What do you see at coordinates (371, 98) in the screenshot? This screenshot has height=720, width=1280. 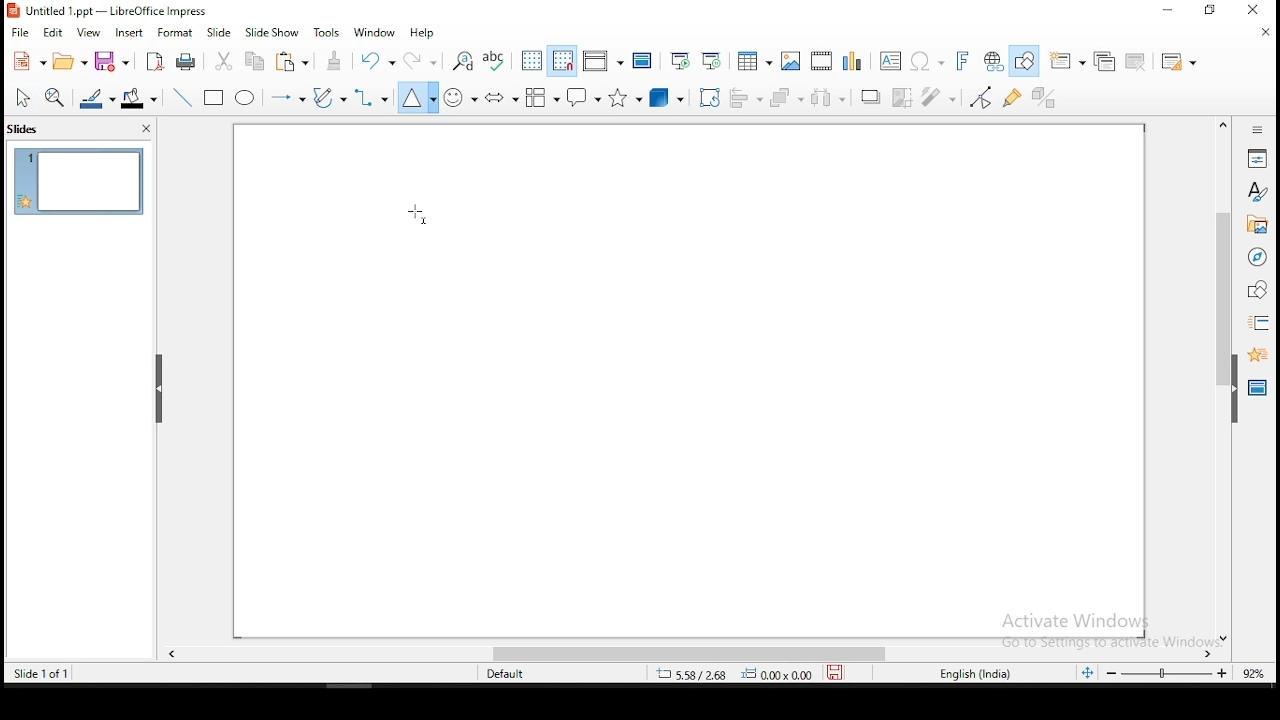 I see `connectors` at bounding box center [371, 98].